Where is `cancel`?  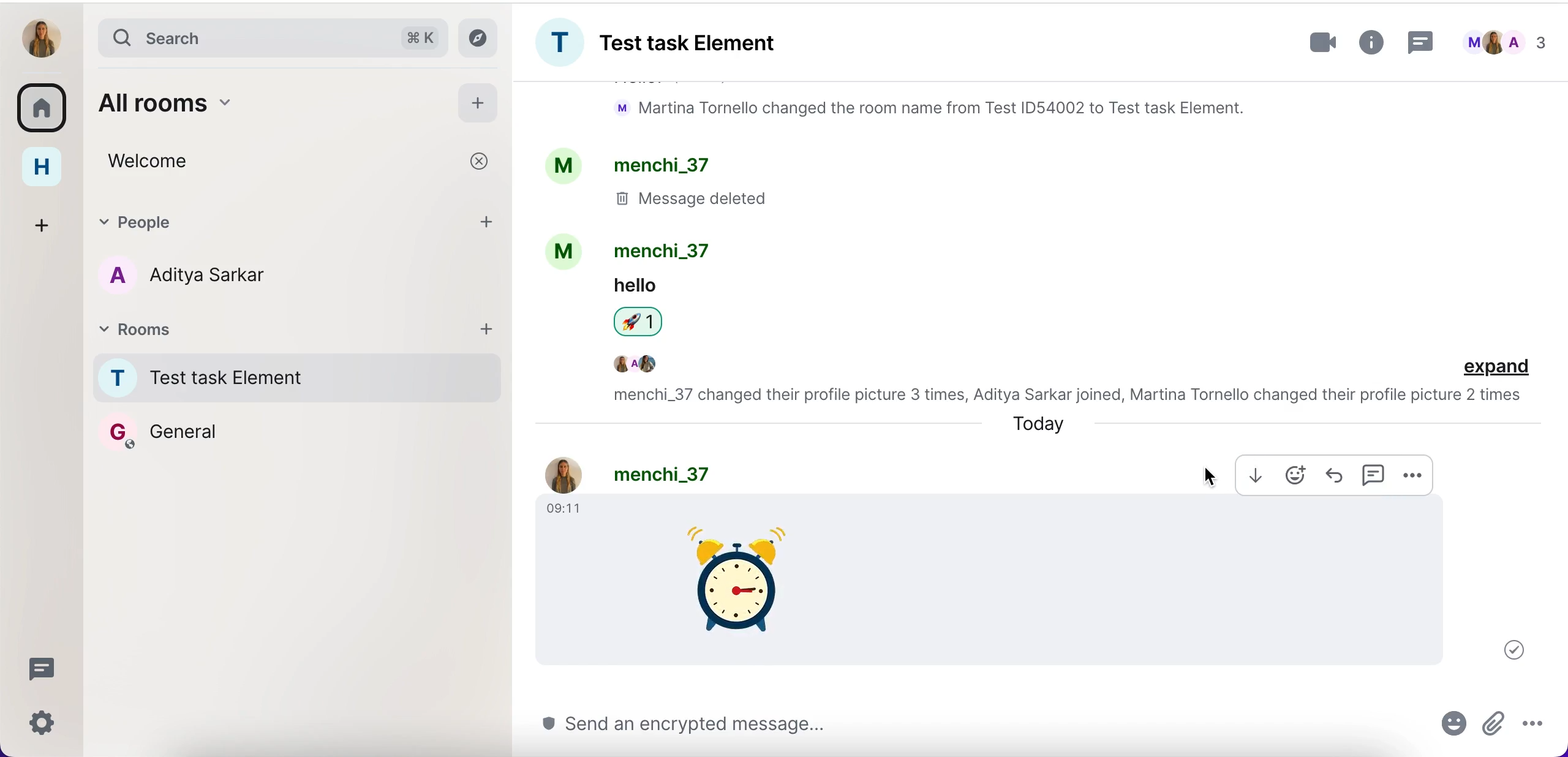
cancel is located at coordinates (481, 164).